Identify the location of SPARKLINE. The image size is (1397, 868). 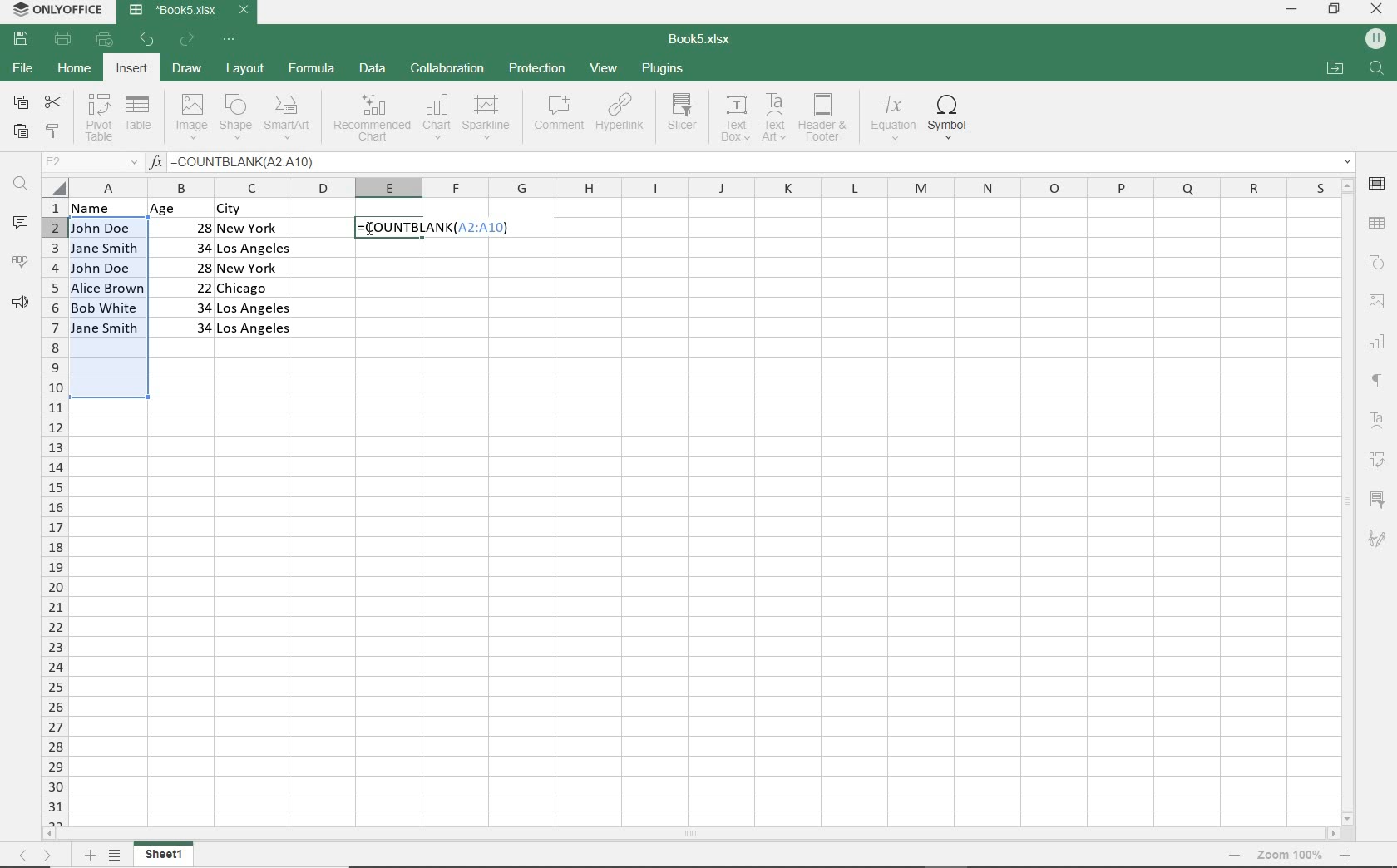
(486, 119).